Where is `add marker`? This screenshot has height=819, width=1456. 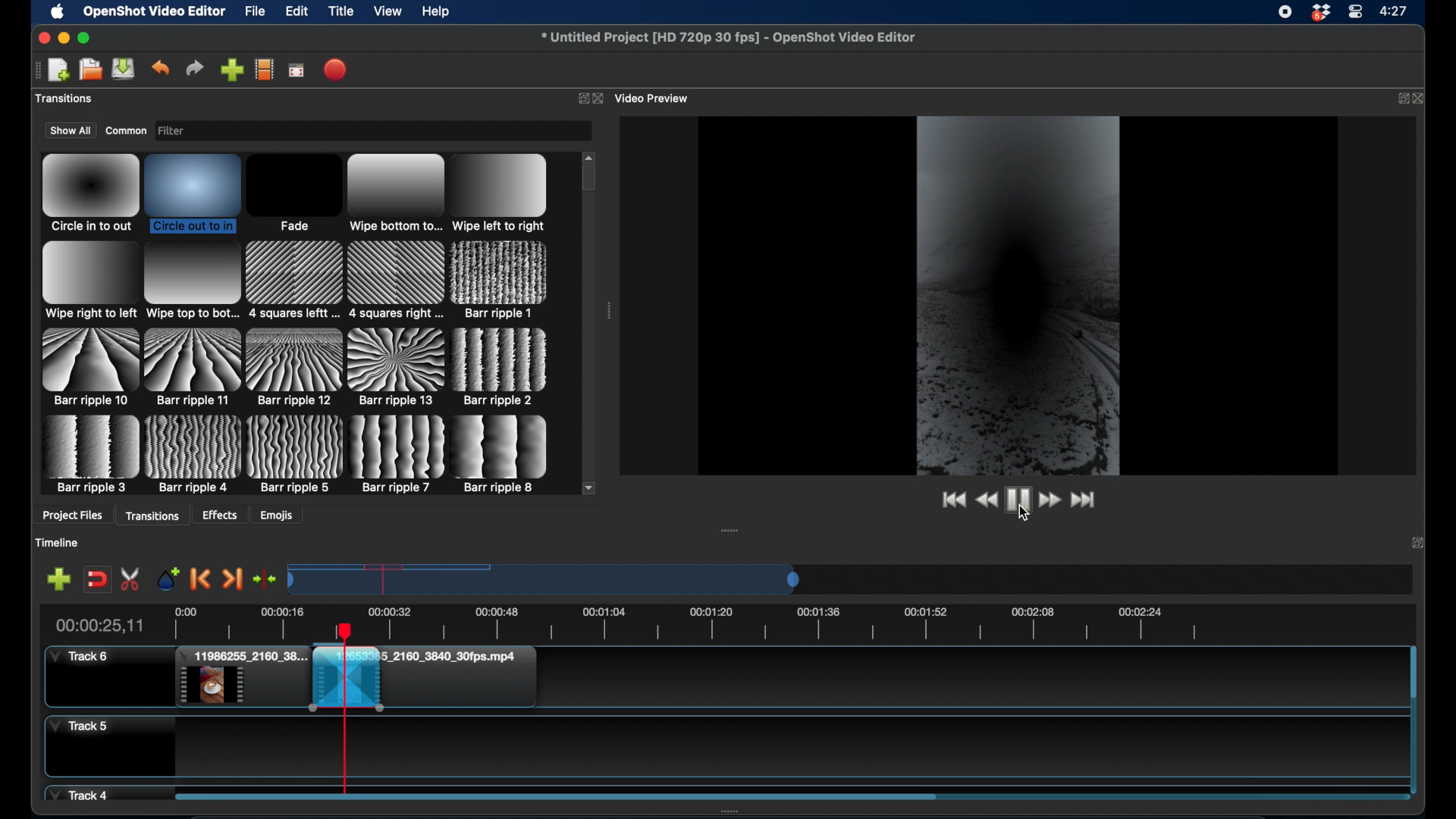 add marker is located at coordinates (168, 578).